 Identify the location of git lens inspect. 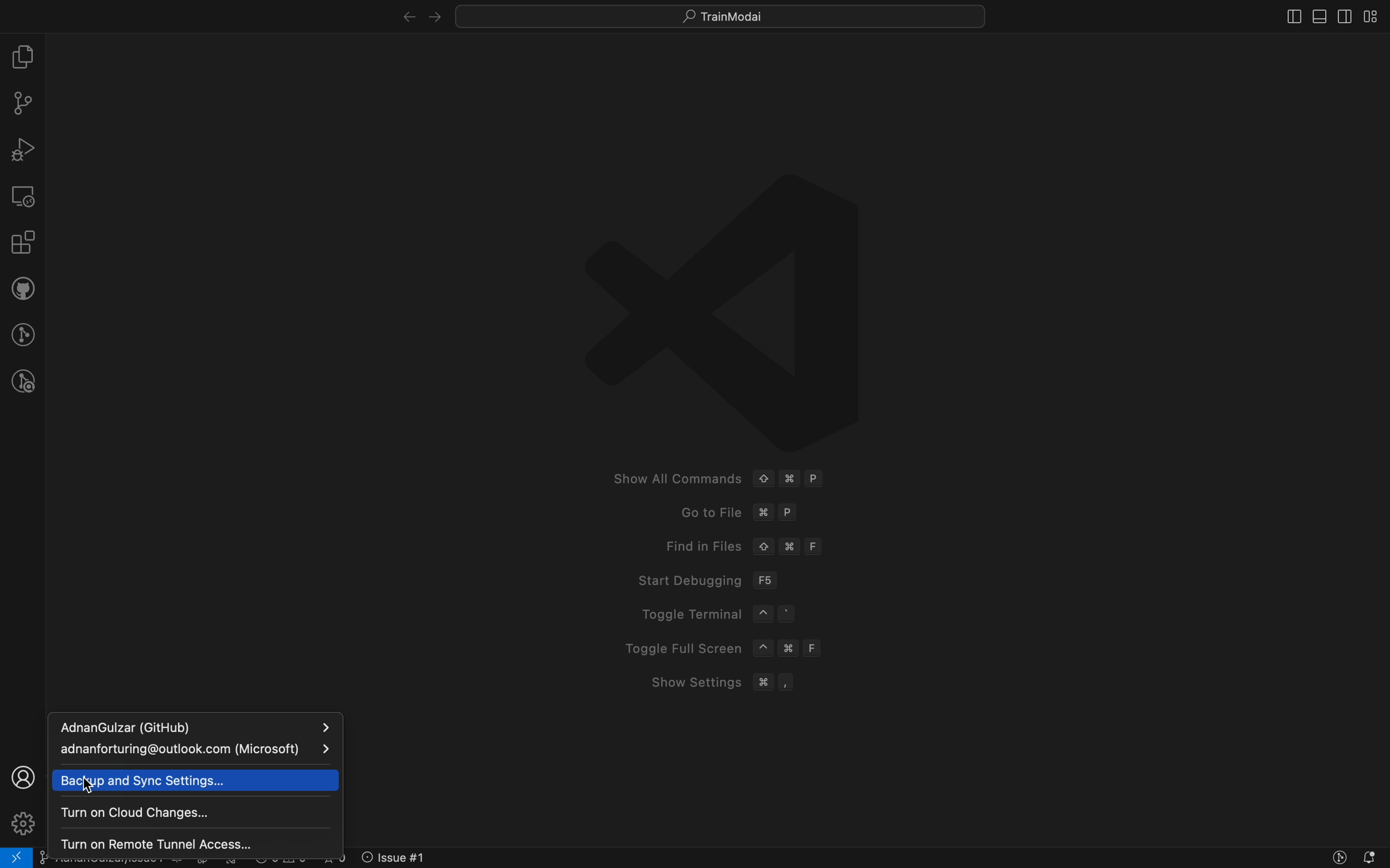
(20, 382).